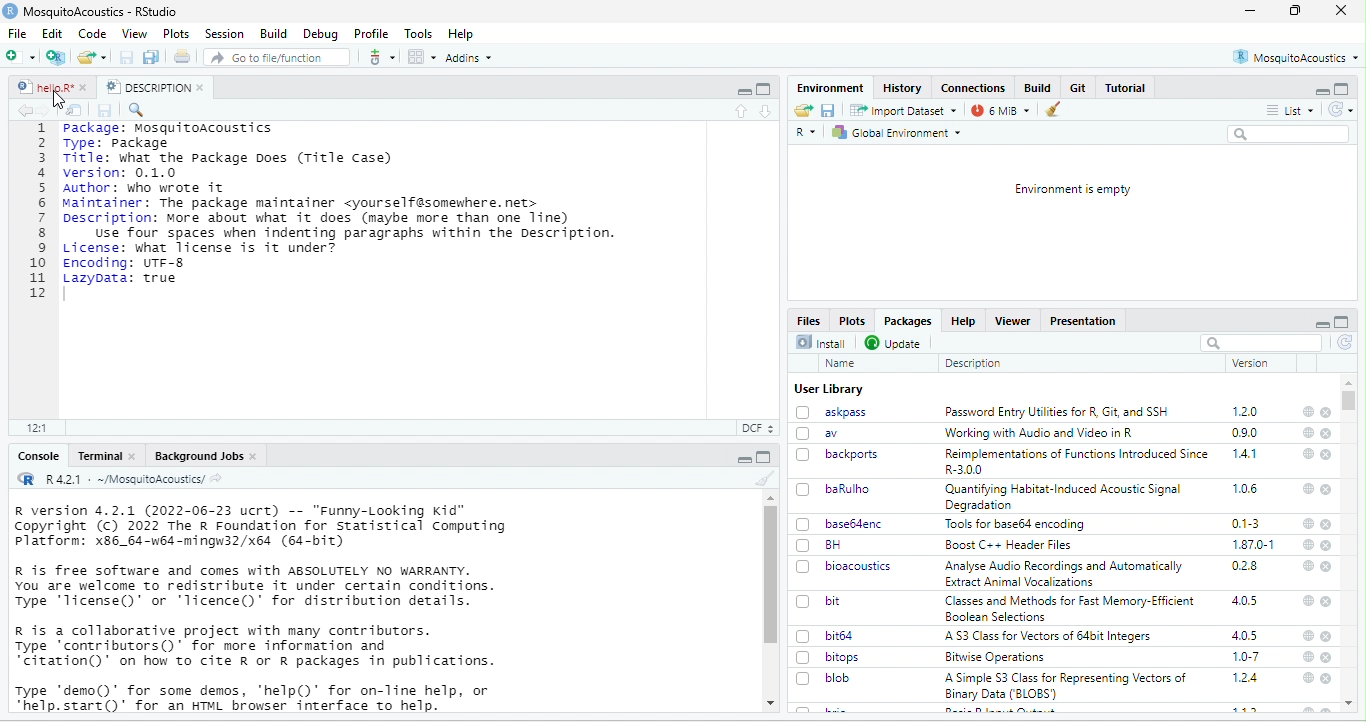 Image resolution: width=1366 pixels, height=722 pixels. What do you see at coordinates (1326, 601) in the screenshot?
I see `close` at bounding box center [1326, 601].